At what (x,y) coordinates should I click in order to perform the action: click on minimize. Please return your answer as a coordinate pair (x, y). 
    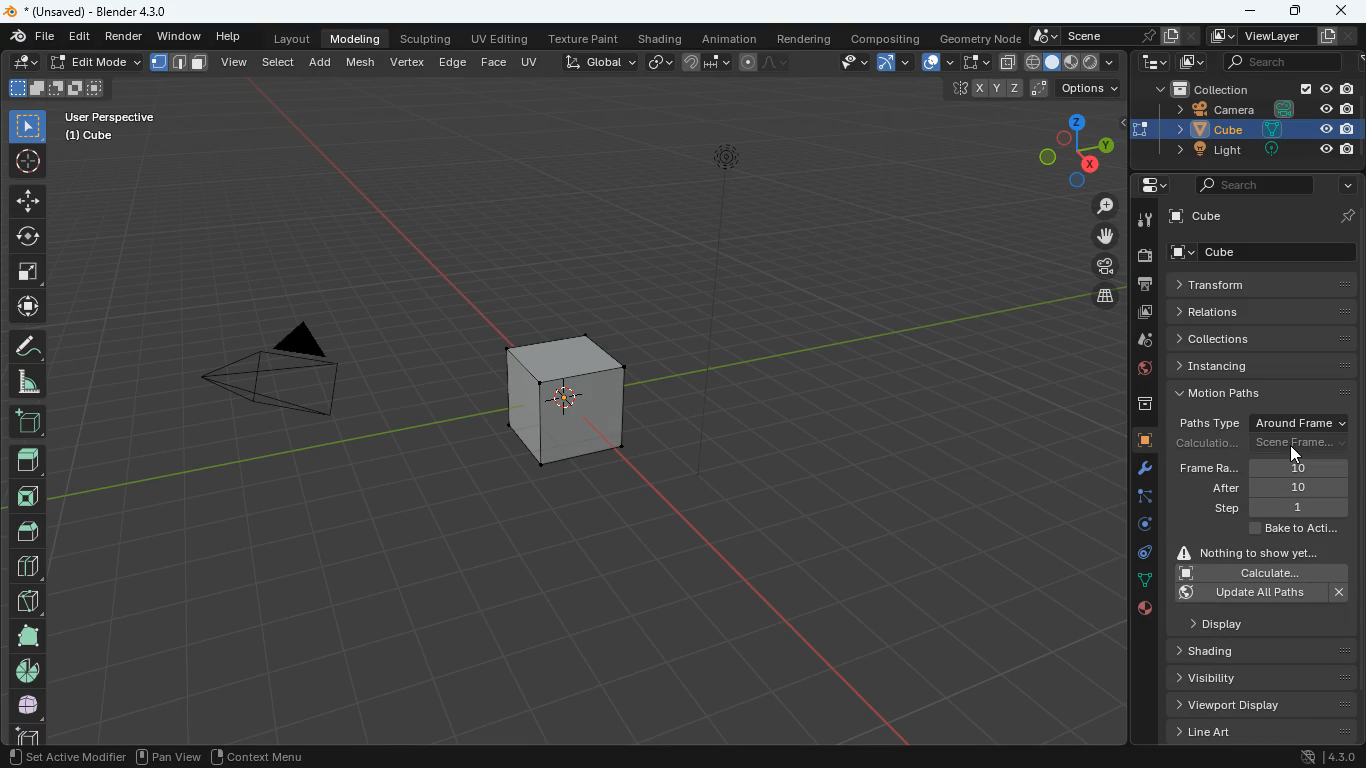
    Looking at the image, I should click on (1249, 10).